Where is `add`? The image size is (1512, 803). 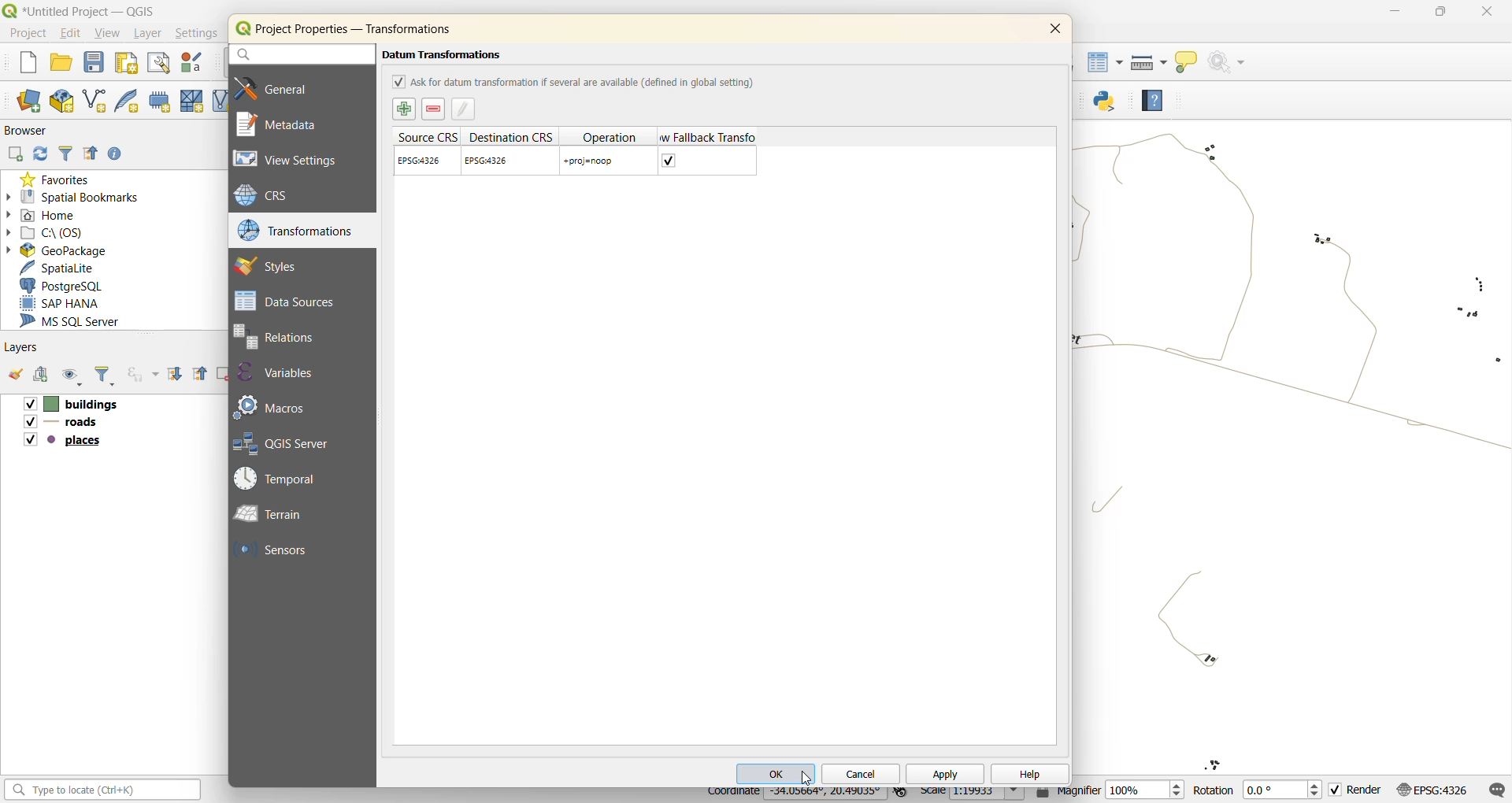 add is located at coordinates (39, 373).